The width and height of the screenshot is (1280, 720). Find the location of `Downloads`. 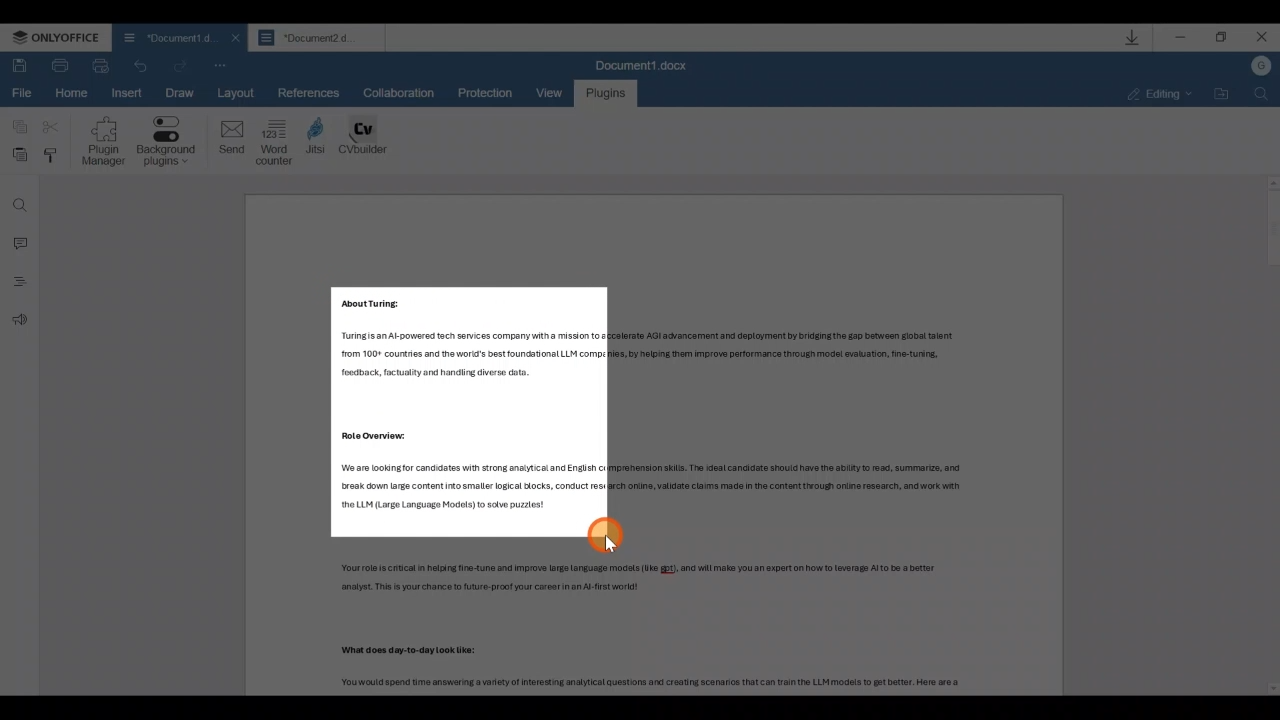

Downloads is located at coordinates (1129, 37).